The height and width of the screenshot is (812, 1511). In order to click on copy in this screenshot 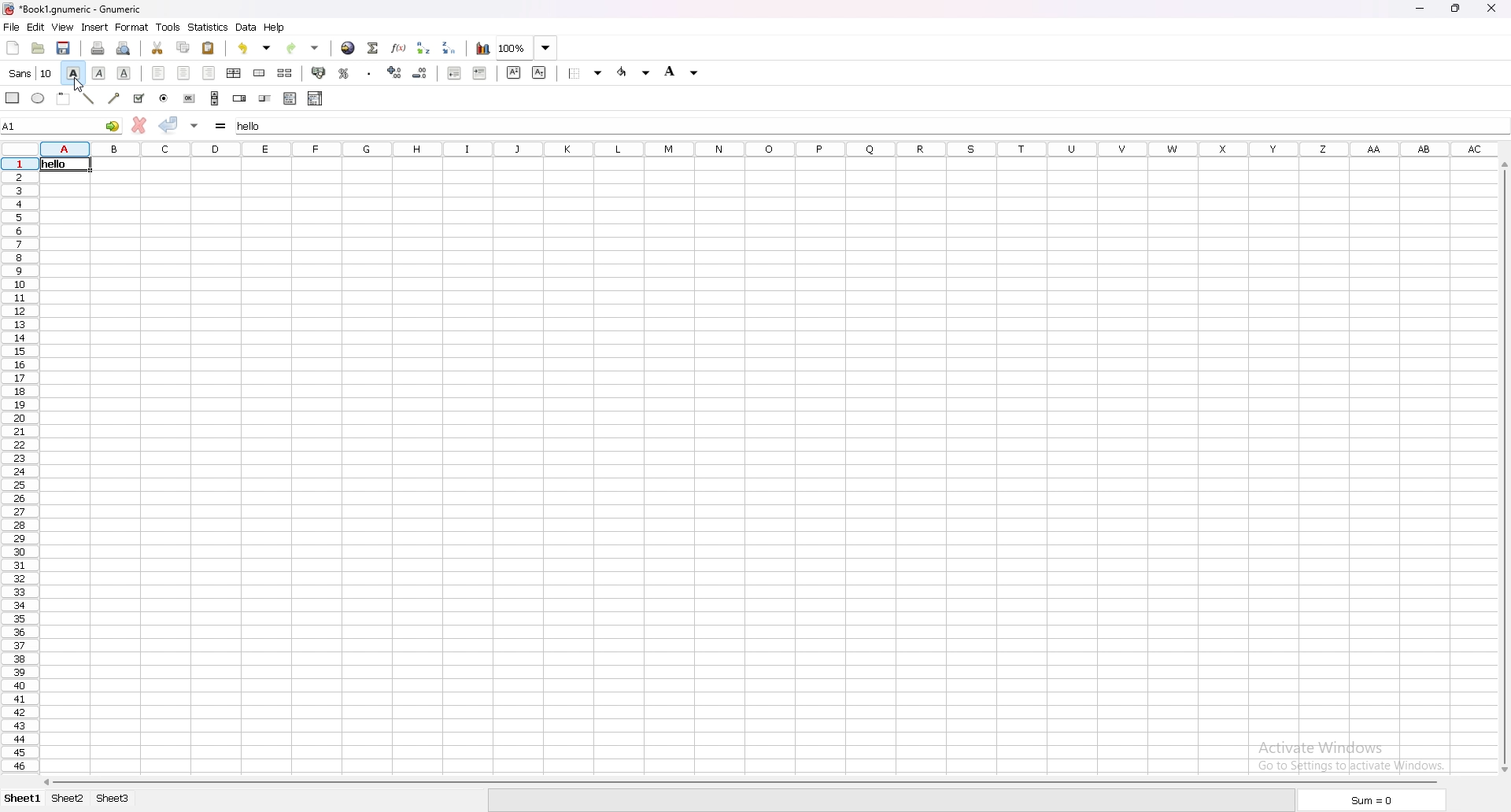, I will do `click(183, 47)`.